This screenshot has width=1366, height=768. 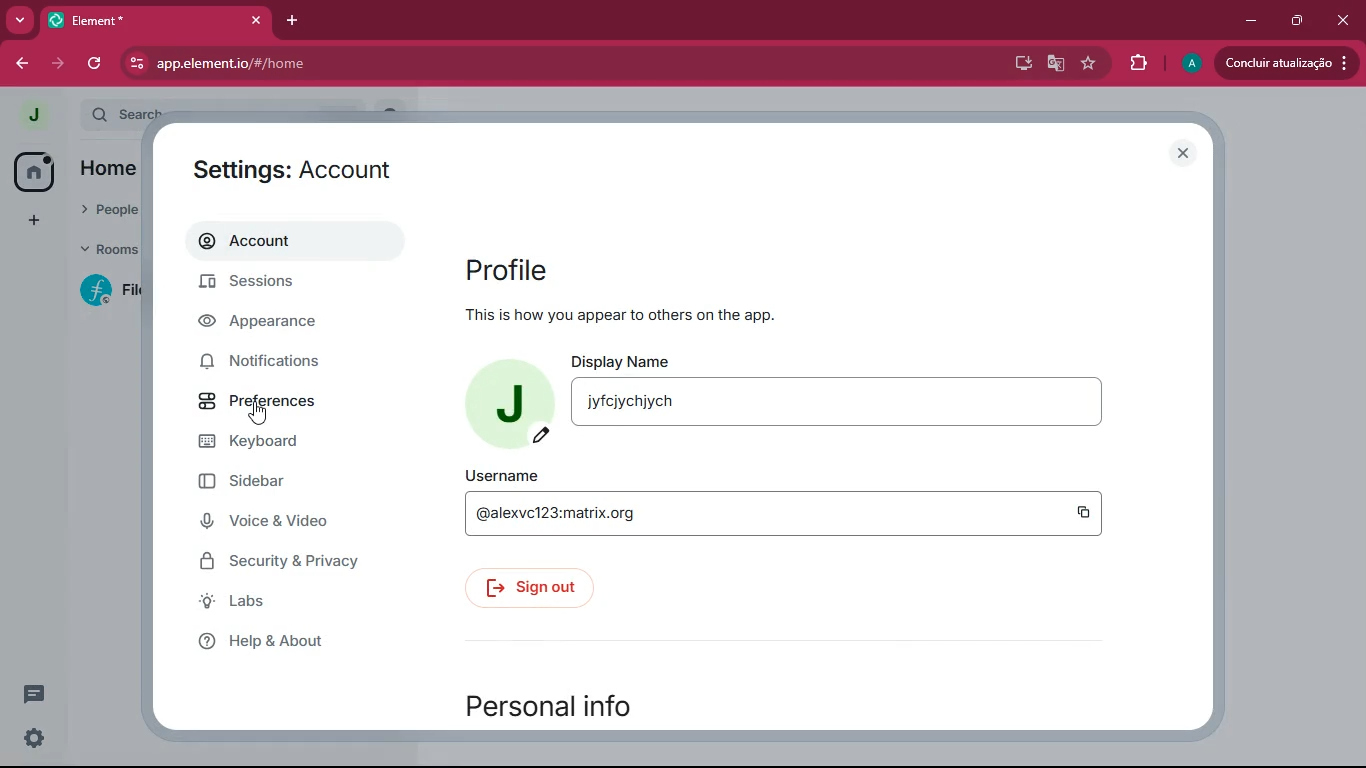 I want to click on sidebar, so click(x=279, y=483).